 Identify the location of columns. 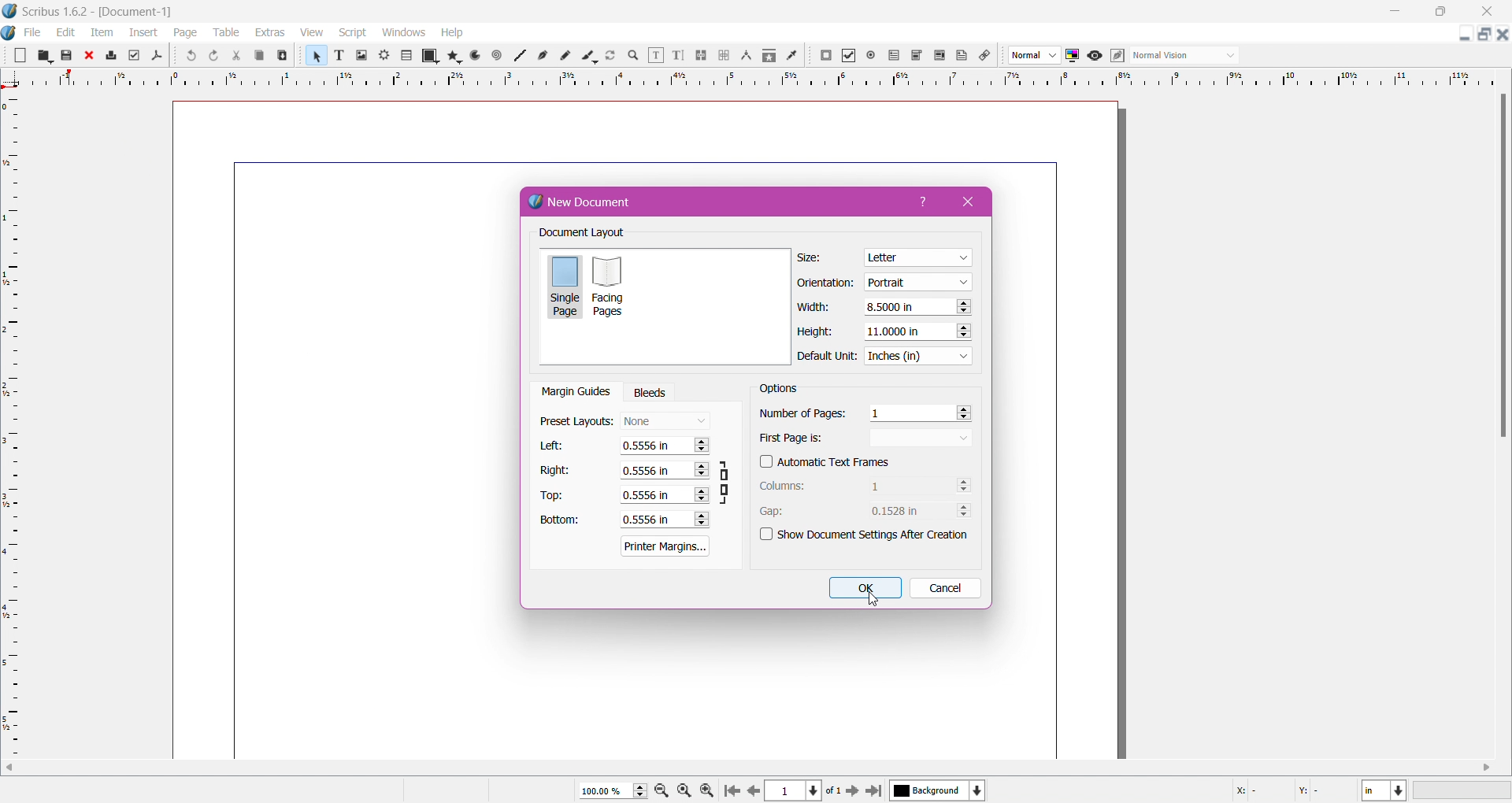
(784, 487).